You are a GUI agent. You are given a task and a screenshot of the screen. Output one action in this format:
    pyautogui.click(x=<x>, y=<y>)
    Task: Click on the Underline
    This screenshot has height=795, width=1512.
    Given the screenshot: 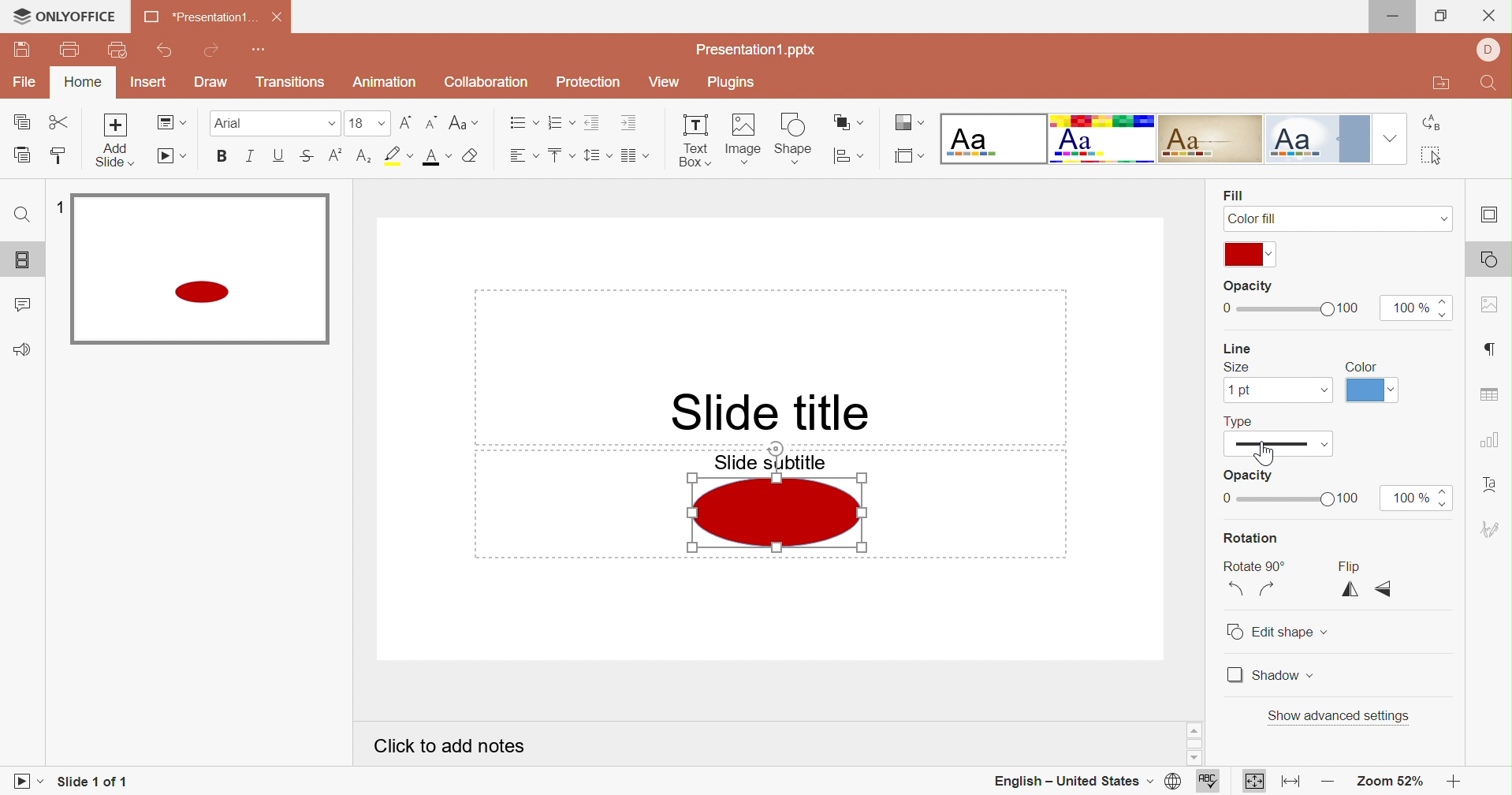 What is the action you would take?
    pyautogui.click(x=277, y=155)
    